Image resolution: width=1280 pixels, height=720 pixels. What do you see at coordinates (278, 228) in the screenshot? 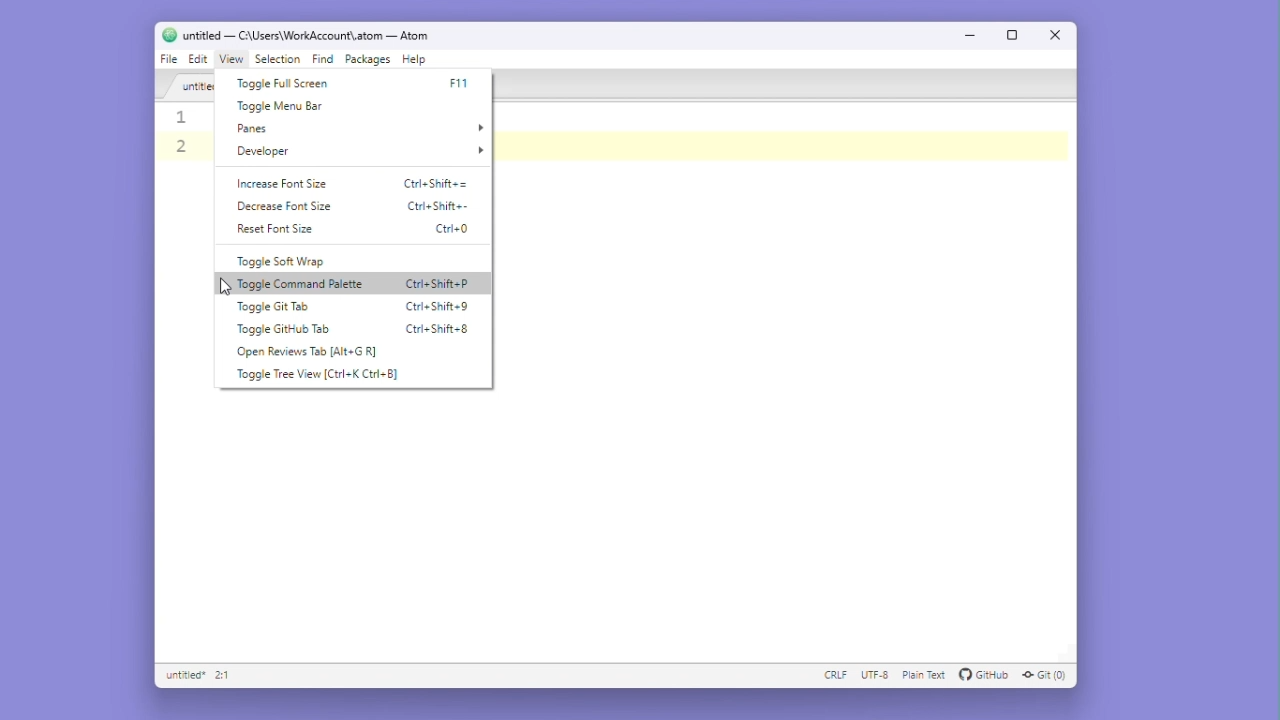
I see `Reset font size` at bounding box center [278, 228].